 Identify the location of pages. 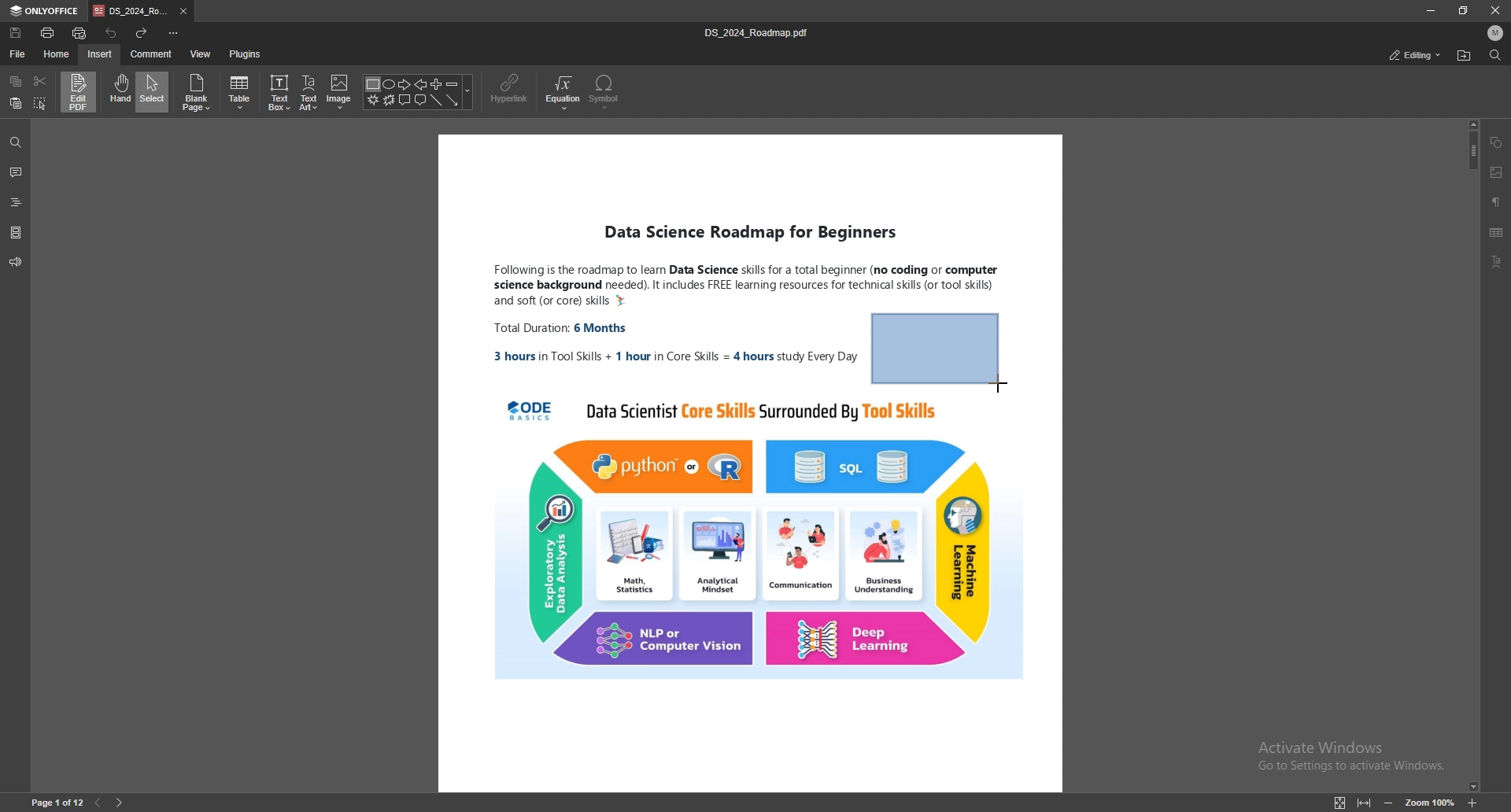
(16, 231).